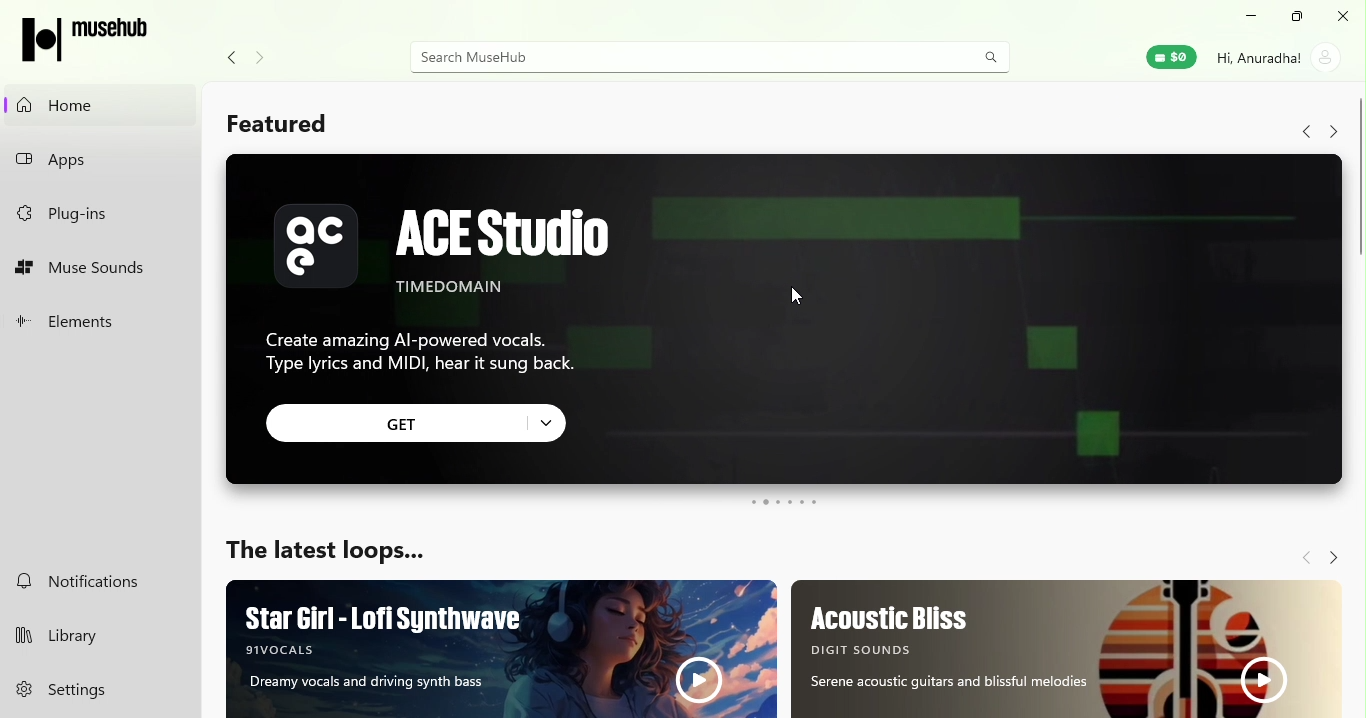  I want to click on close, so click(1344, 19).